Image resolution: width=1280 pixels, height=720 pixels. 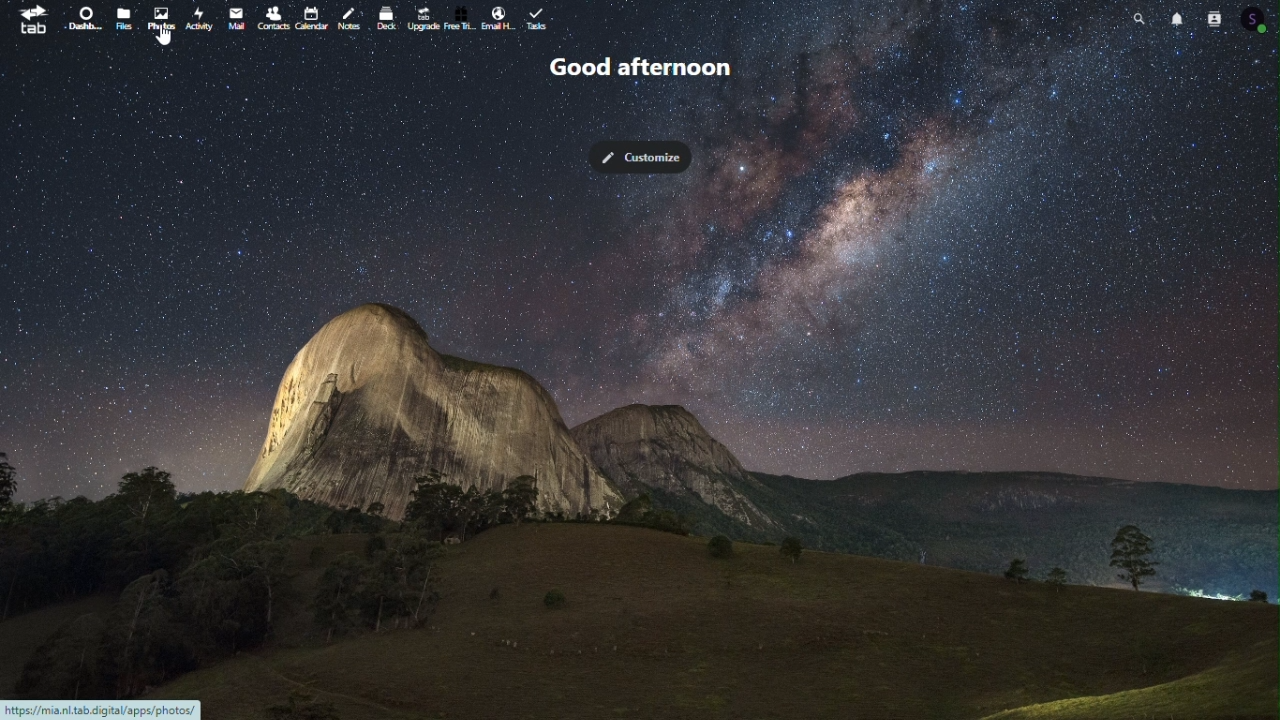 I want to click on Dashboard, so click(x=80, y=17).